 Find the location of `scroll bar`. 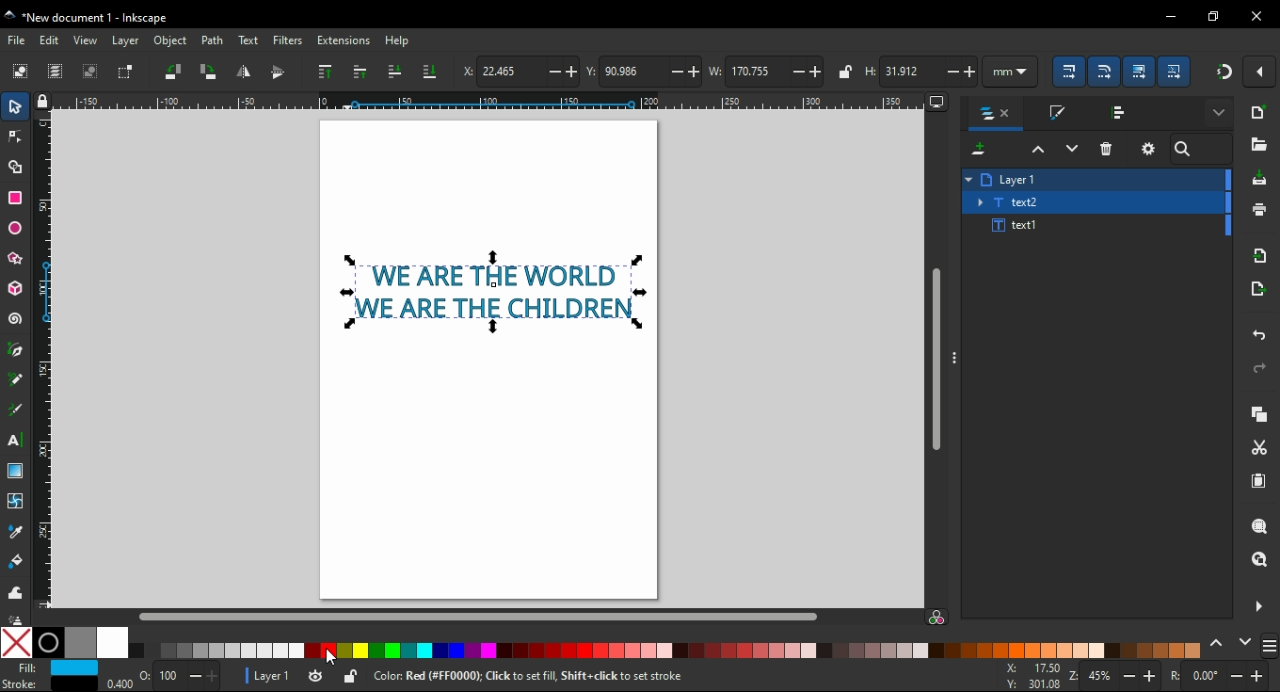

scroll bar is located at coordinates (476, 616).